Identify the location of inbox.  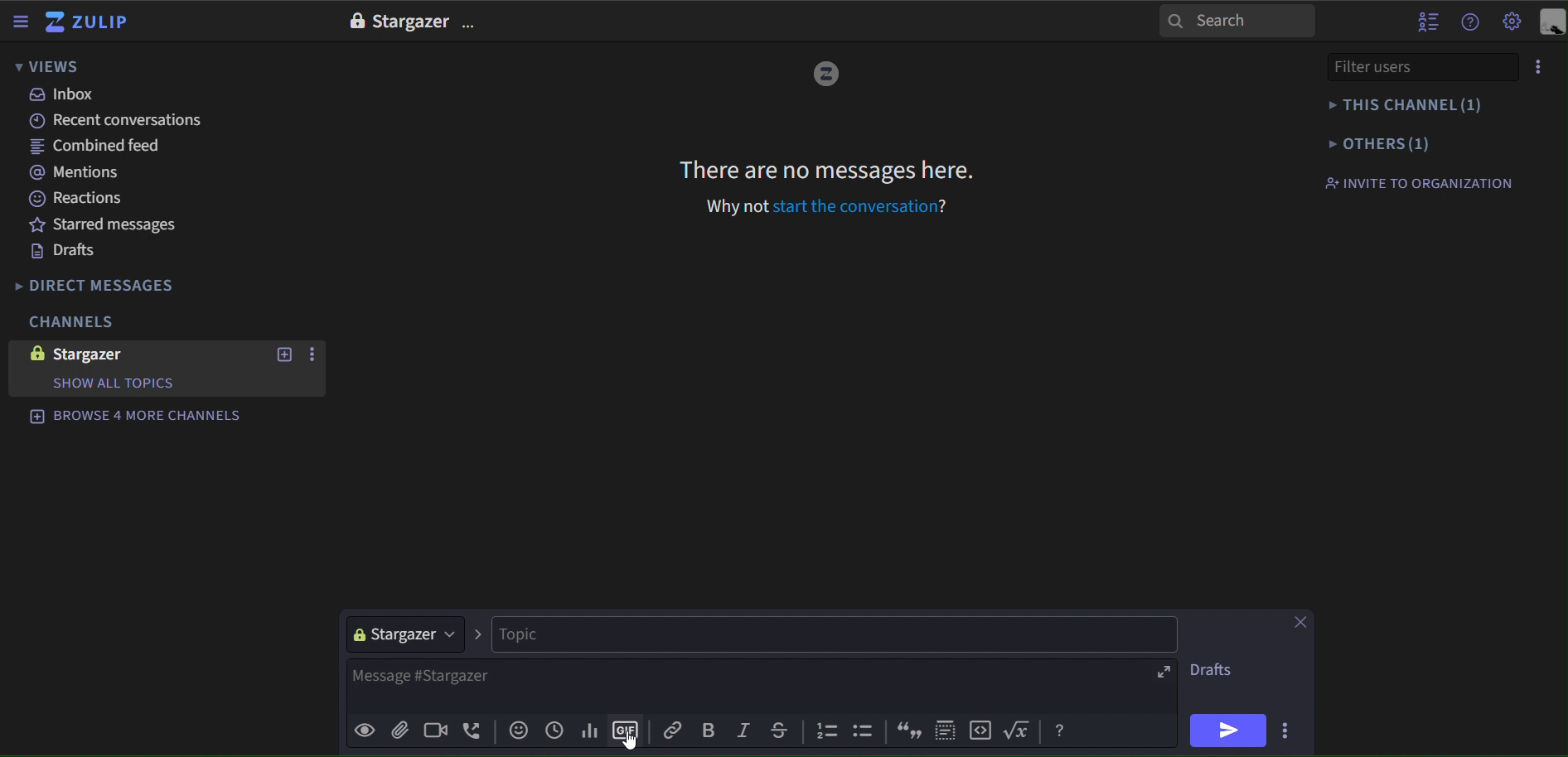
(64, 94).